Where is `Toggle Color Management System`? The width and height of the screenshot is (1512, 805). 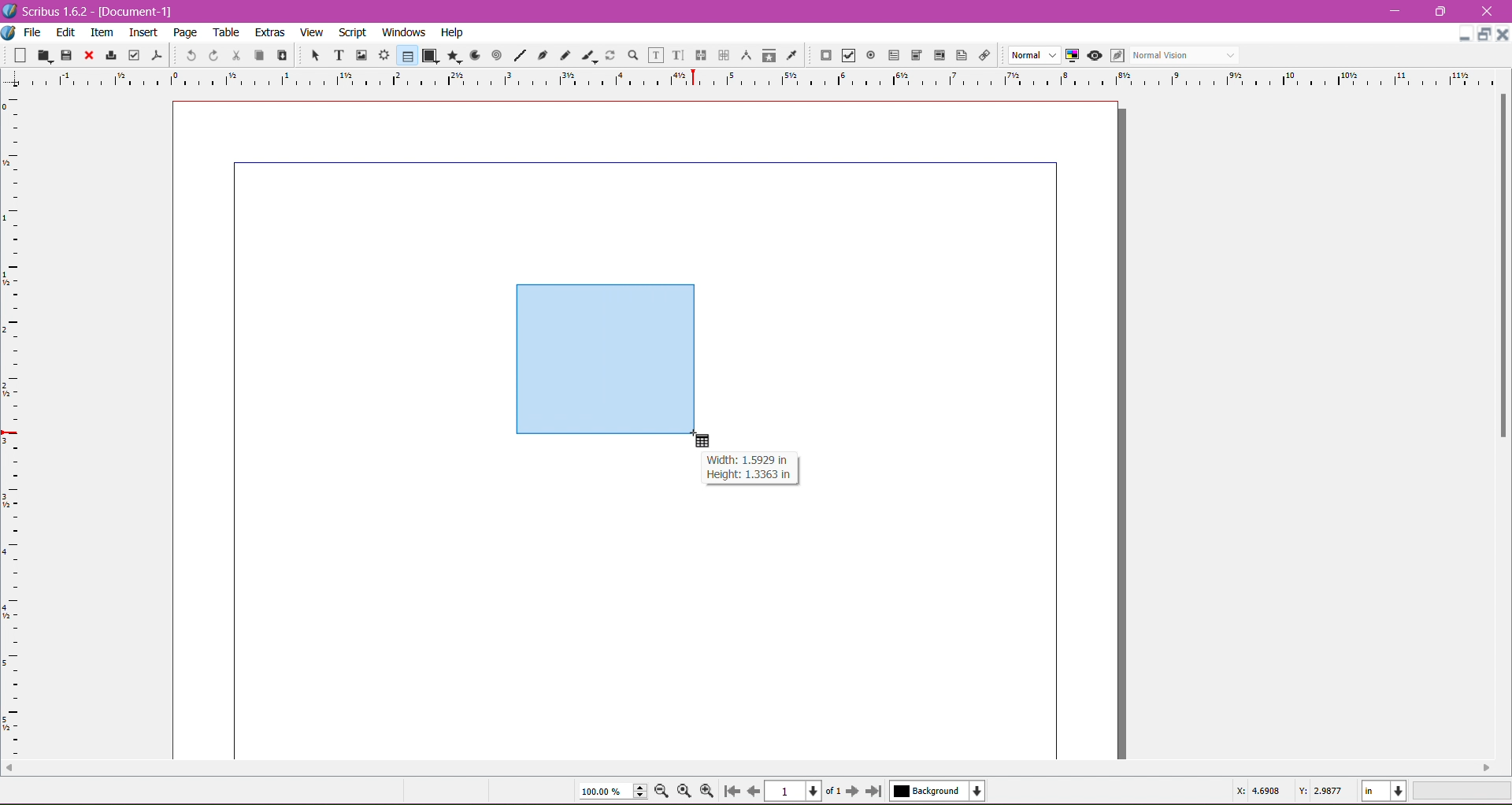
Toggle Color Management System is located at coordinates (1070, 54).